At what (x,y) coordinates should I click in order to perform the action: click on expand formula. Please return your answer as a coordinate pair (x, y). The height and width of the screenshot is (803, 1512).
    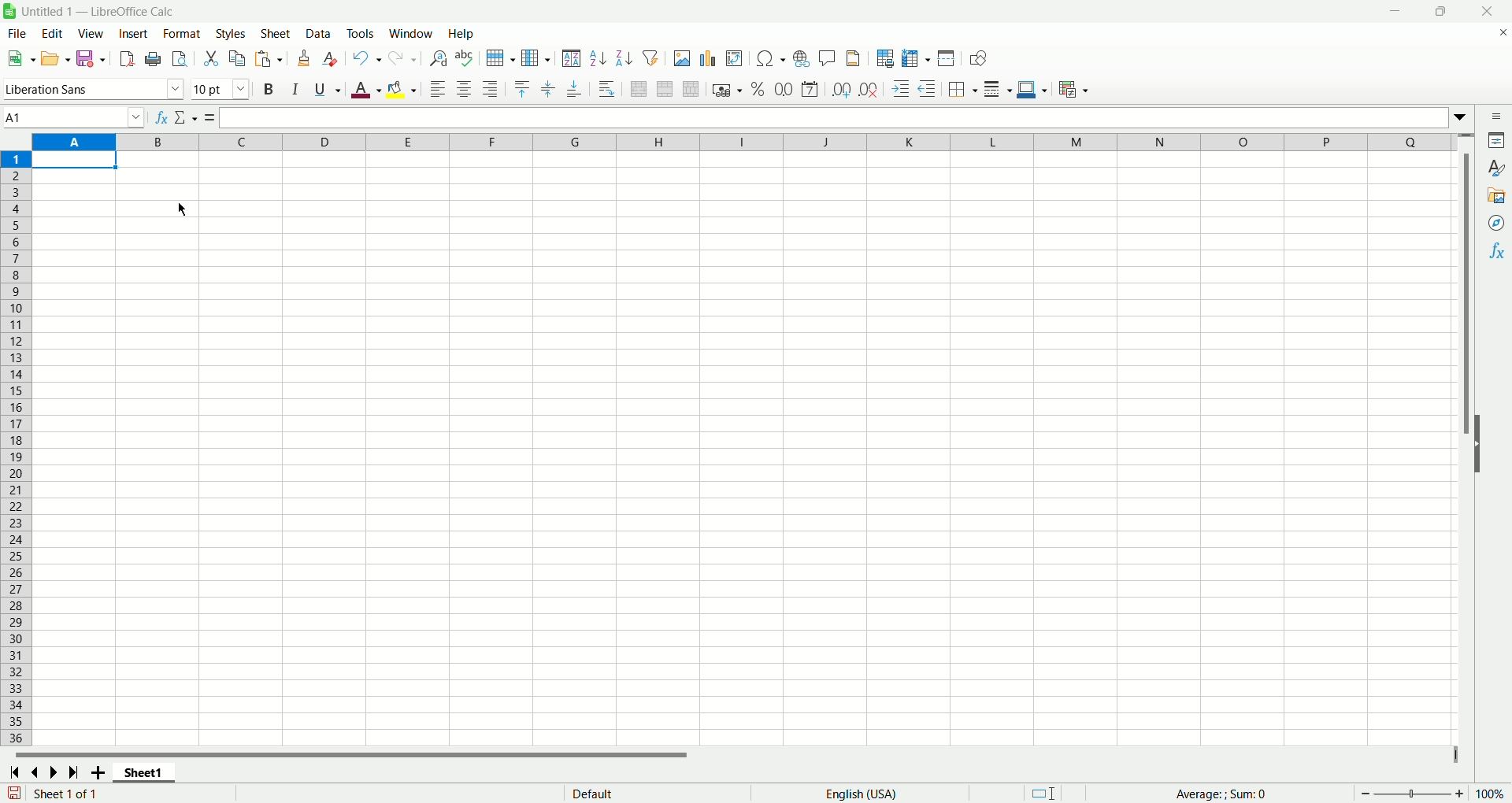
    Looking at the image, I should click on (1463, 117).